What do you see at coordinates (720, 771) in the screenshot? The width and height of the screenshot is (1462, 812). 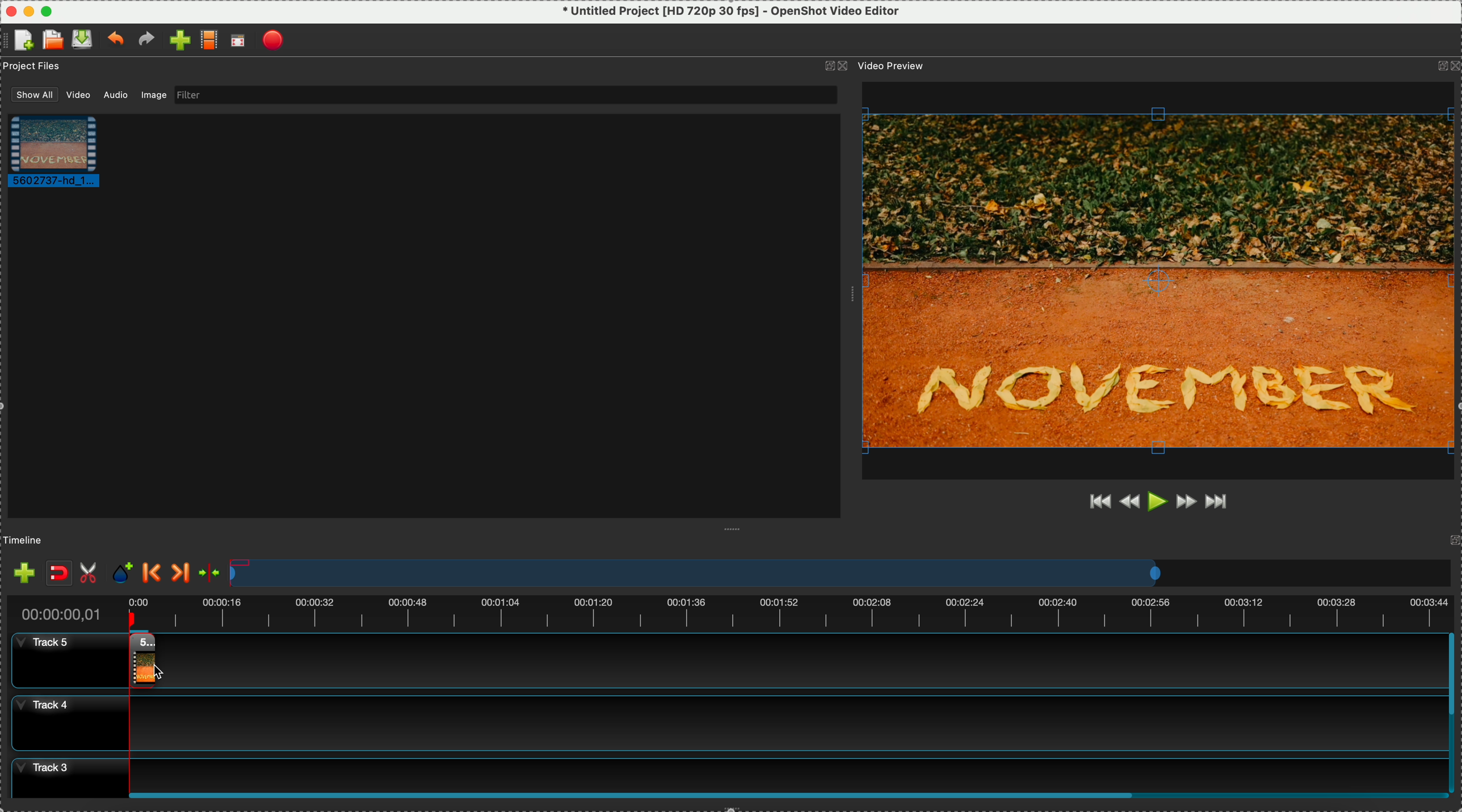 I see `track 3` at bounding box center [720, 771].